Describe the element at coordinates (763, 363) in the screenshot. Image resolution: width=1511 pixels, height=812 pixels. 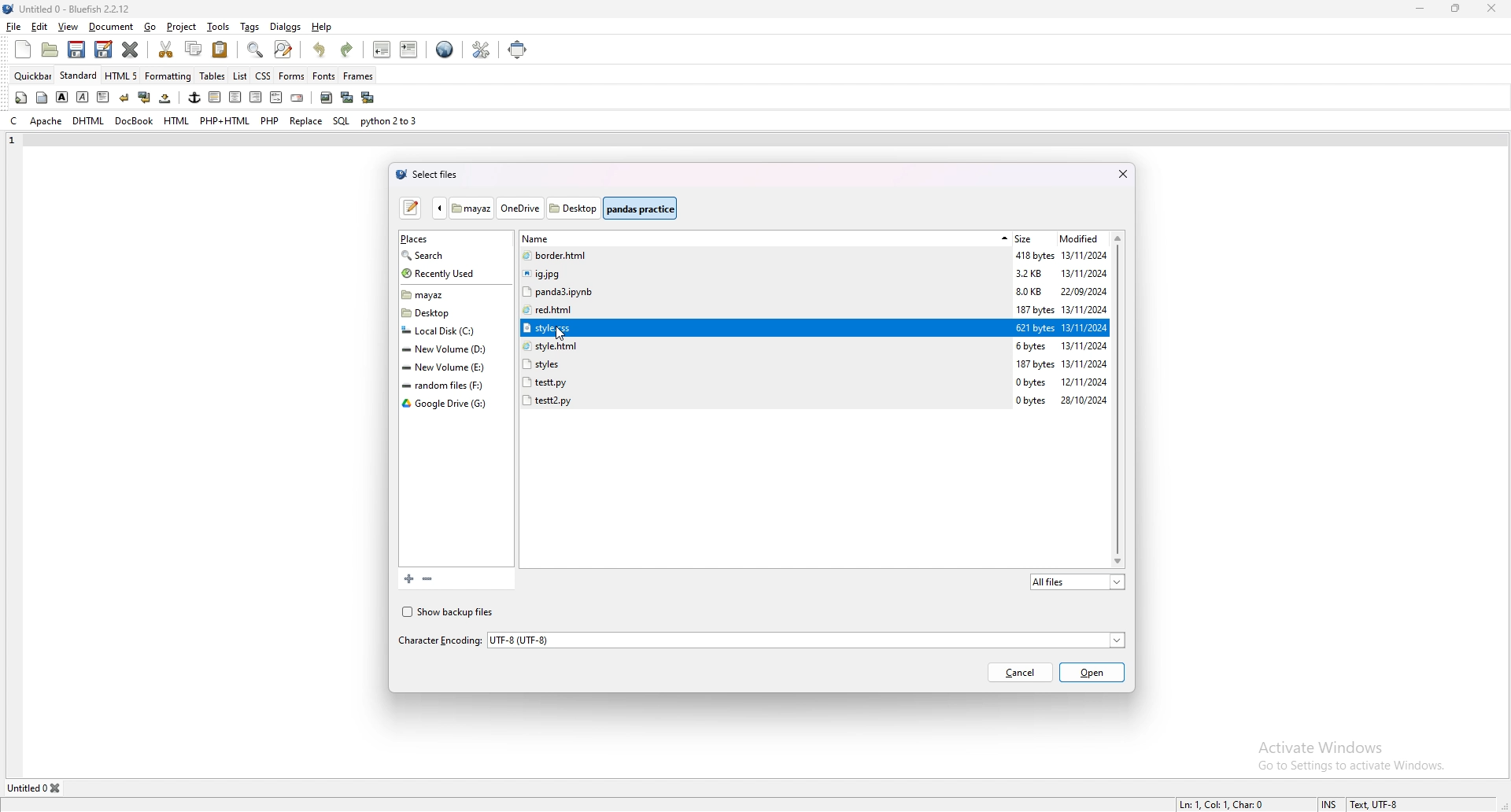
I see `file` at that location.